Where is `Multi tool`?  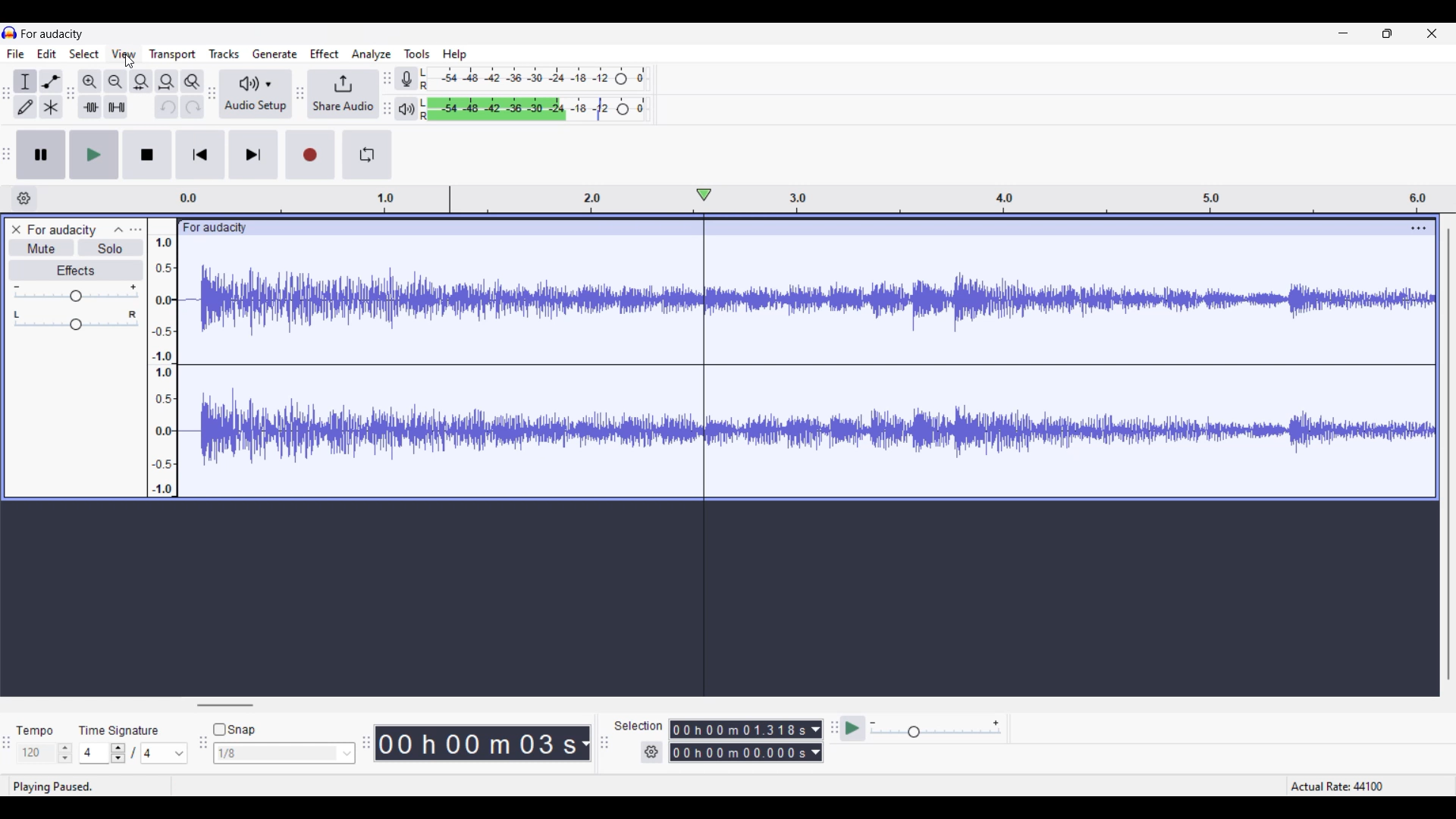 Multi tool is located at coordinates (51, 106).